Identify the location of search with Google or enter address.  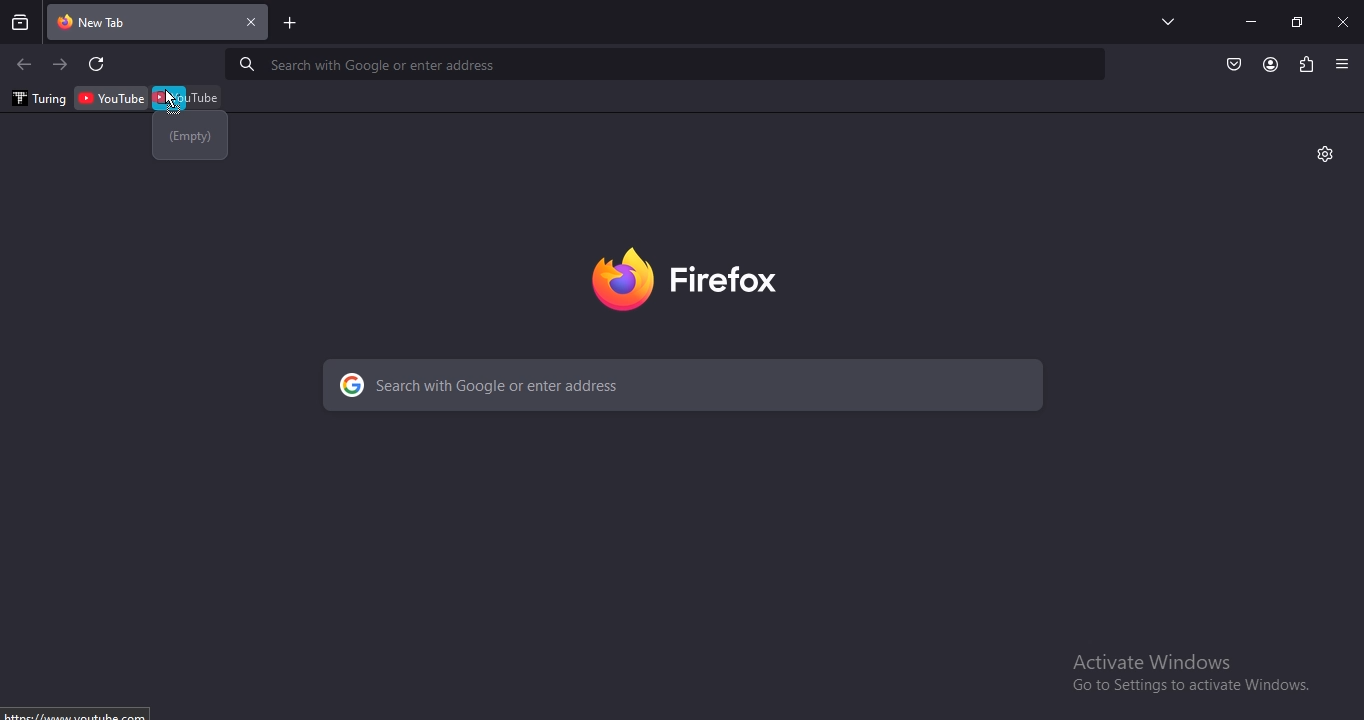
(567, 382).